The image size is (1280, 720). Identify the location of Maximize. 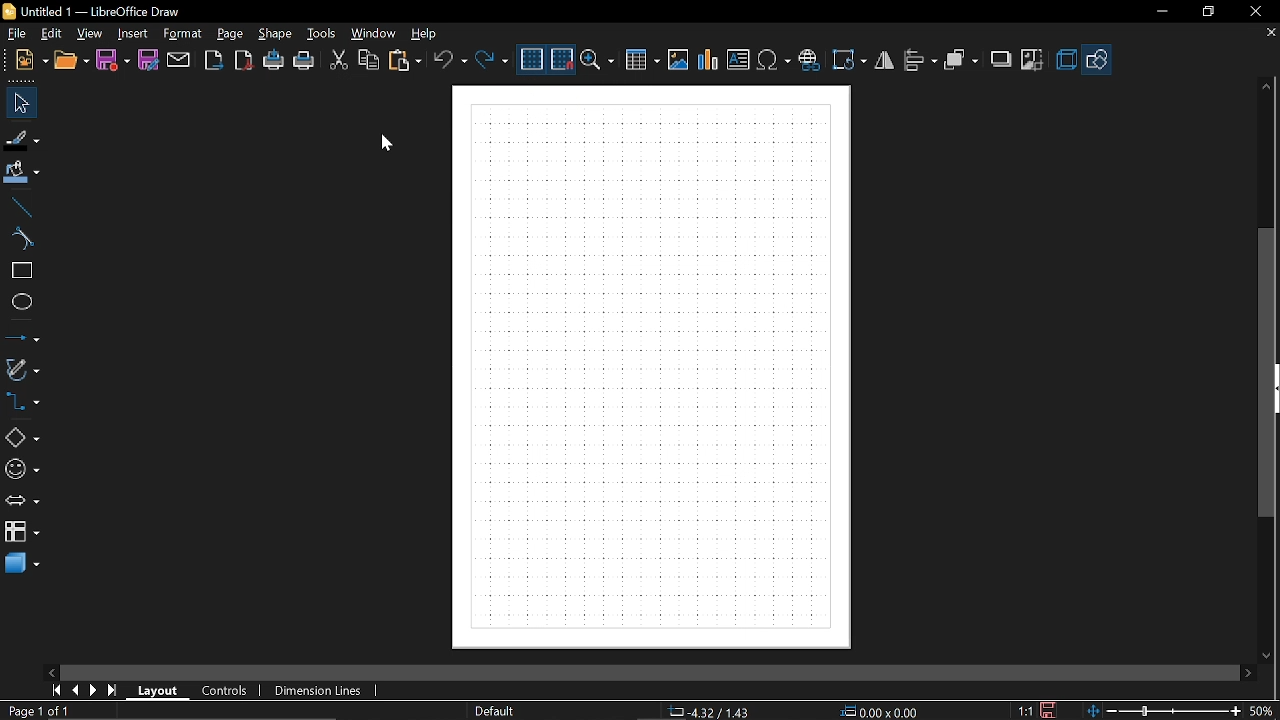
(1211, 11).